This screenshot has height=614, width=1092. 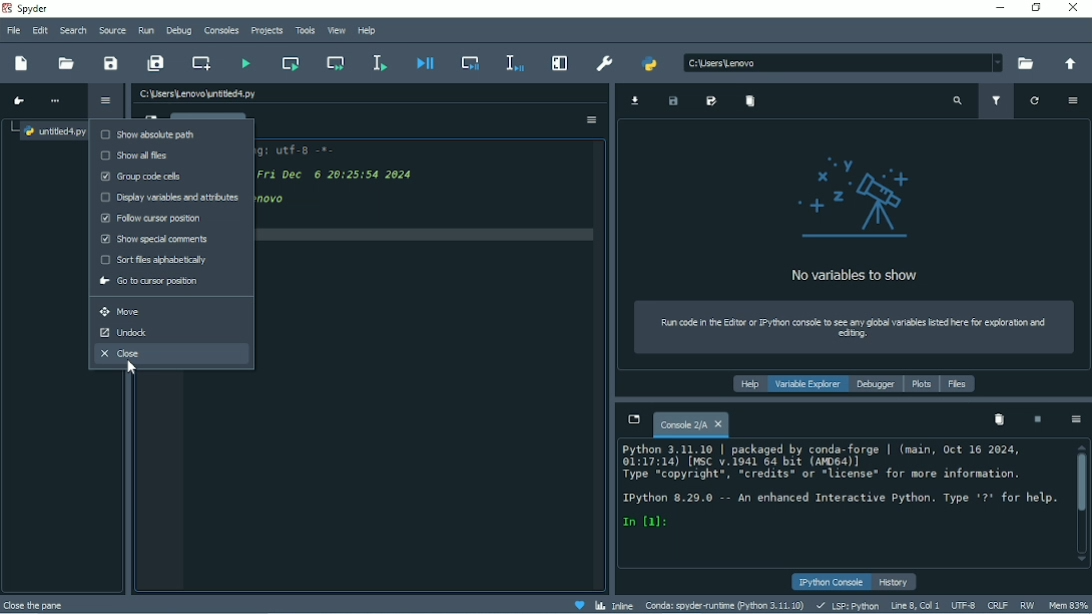 What do you see at coordinates (1074, 8) in the screenshot?
I see `Close` at bounding box center [1074, 8].